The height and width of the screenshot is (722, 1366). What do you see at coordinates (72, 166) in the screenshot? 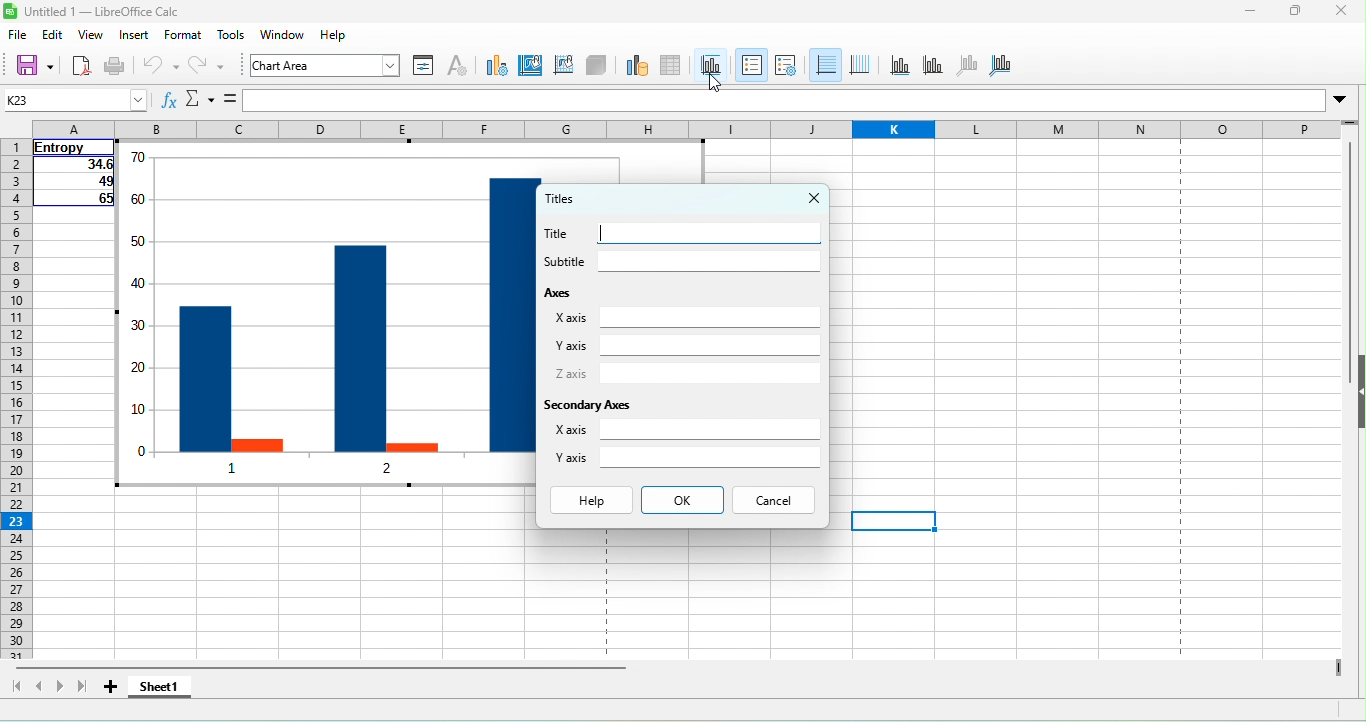
I see `34.6` at bounding box center [72, 166].